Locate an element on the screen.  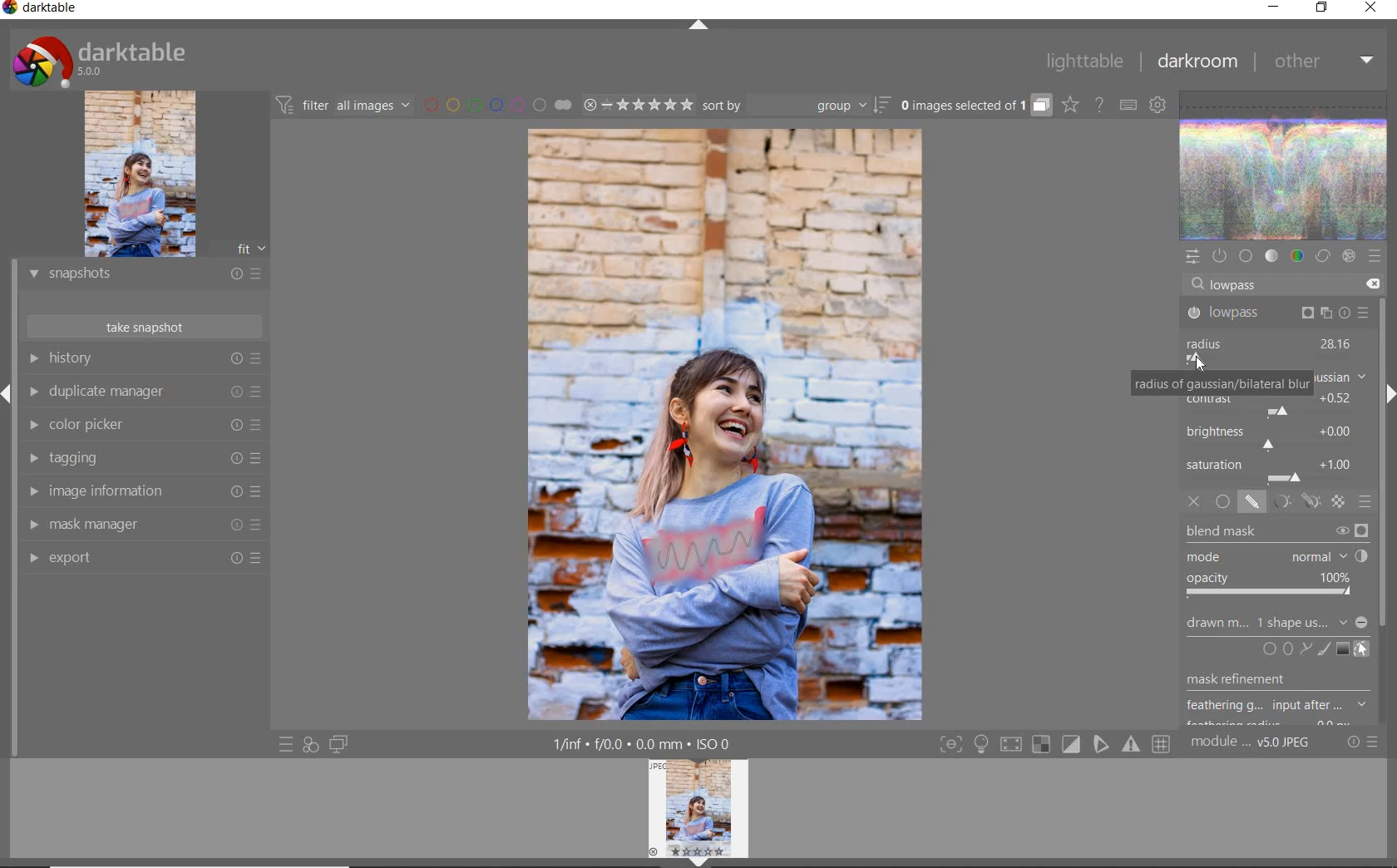
display a second darkroom image window is located at coordinates (339, 743).